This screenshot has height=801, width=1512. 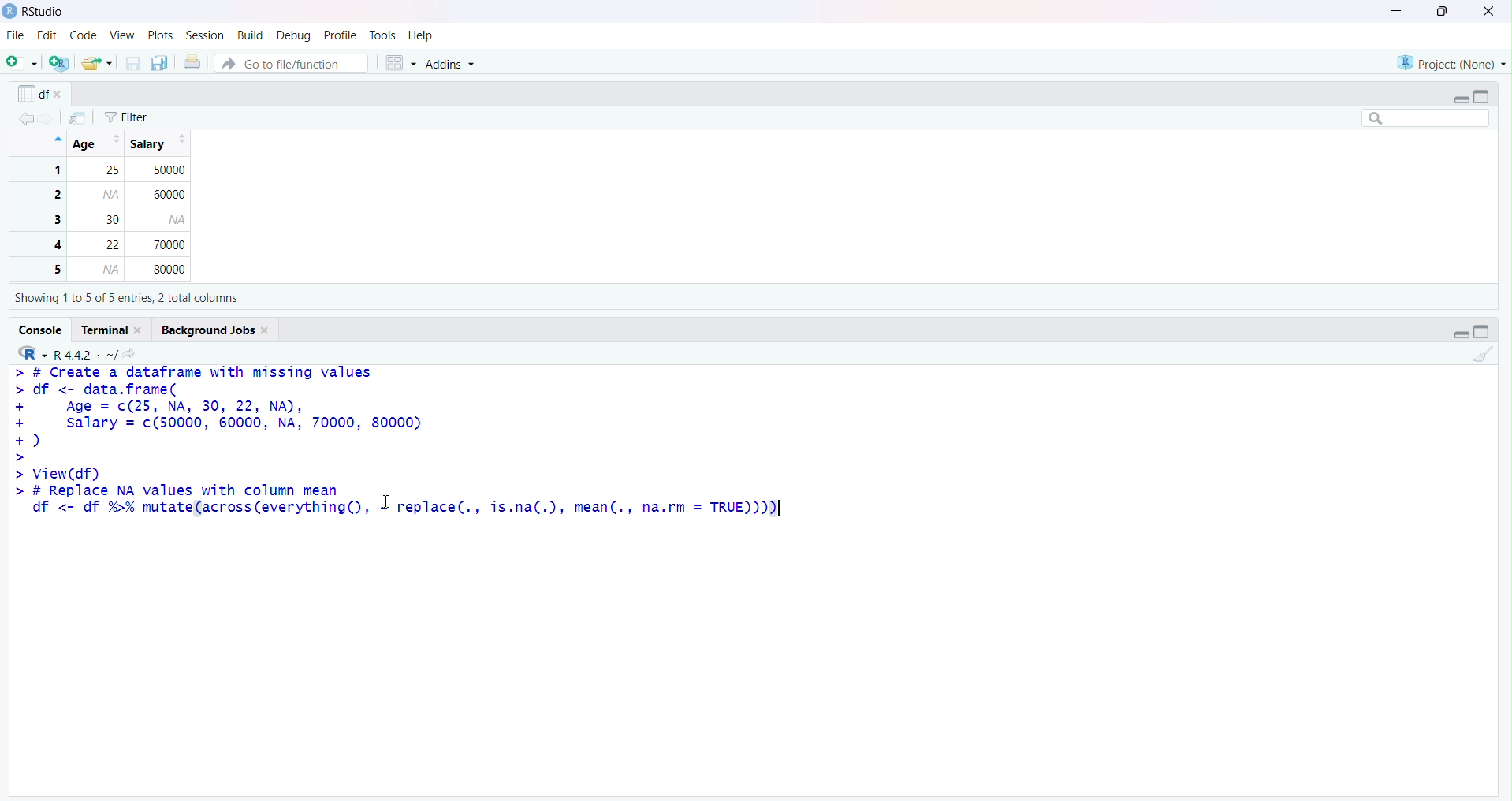 I want to click on Save all open documents (Ctrl + Alt + S), so click(x=159, y=61).